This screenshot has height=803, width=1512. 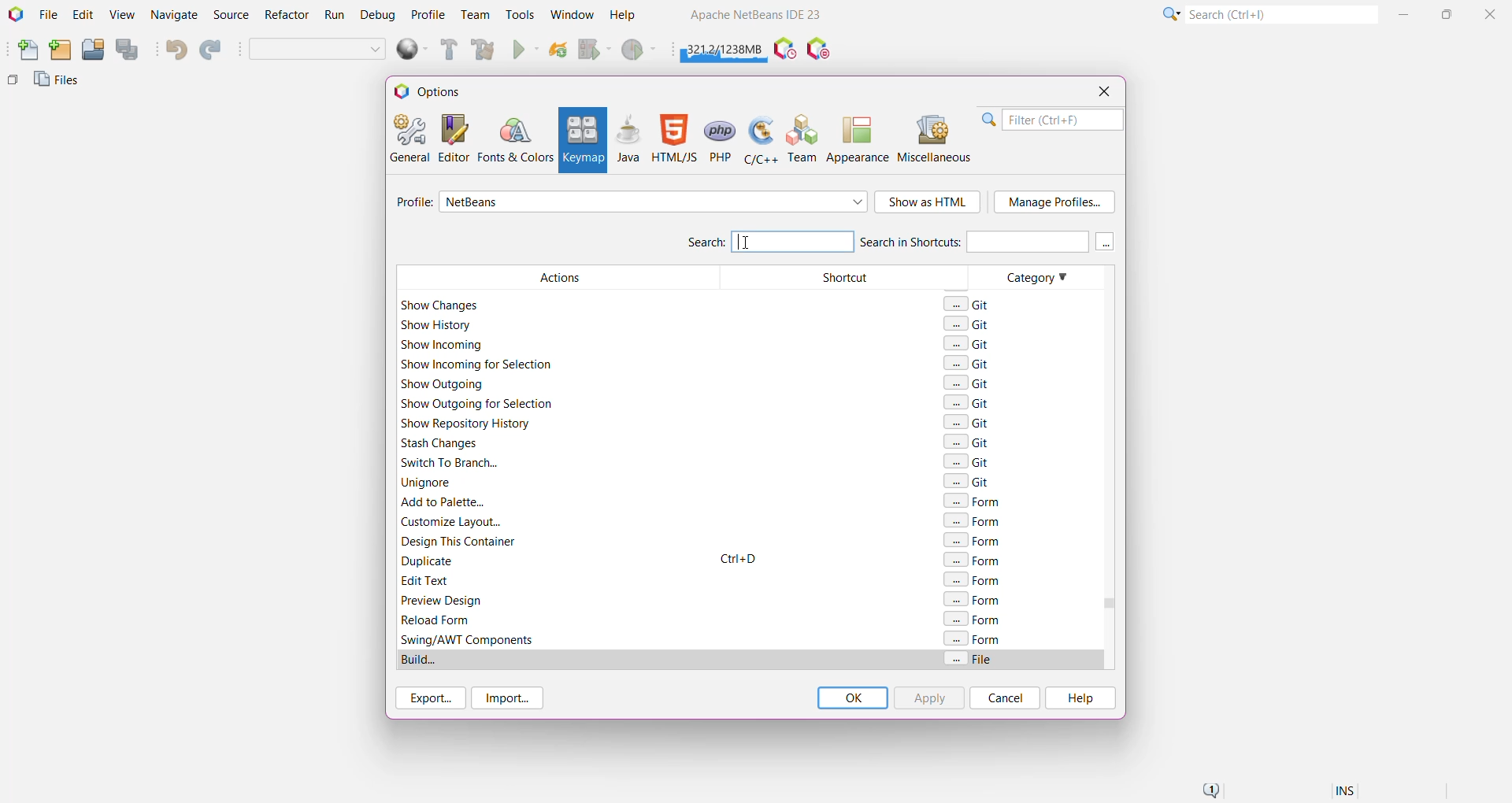 I want to click on Build Main Project, so click(x=447, y=50).